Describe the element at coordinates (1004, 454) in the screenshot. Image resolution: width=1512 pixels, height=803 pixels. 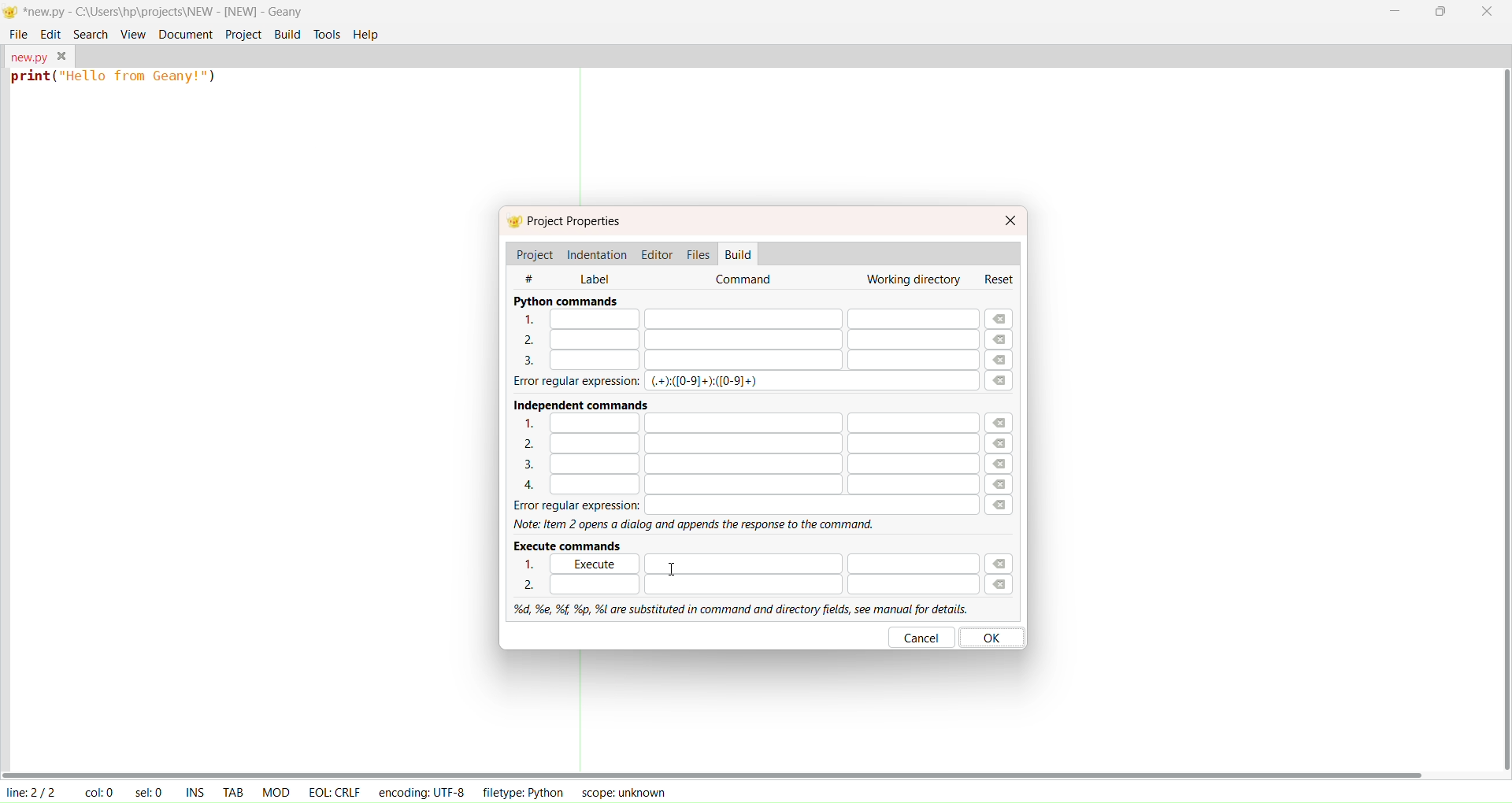
I see `clear` at that location.